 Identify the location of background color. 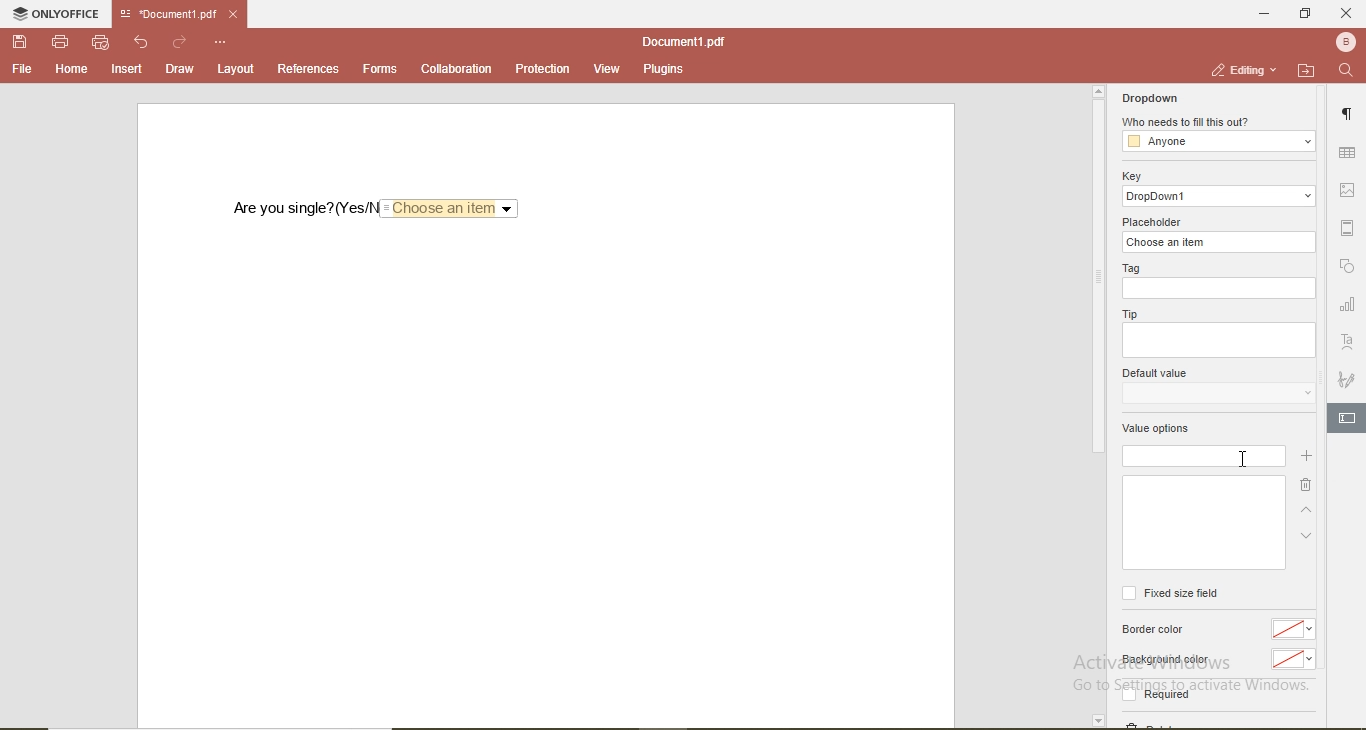
(1170, 660).